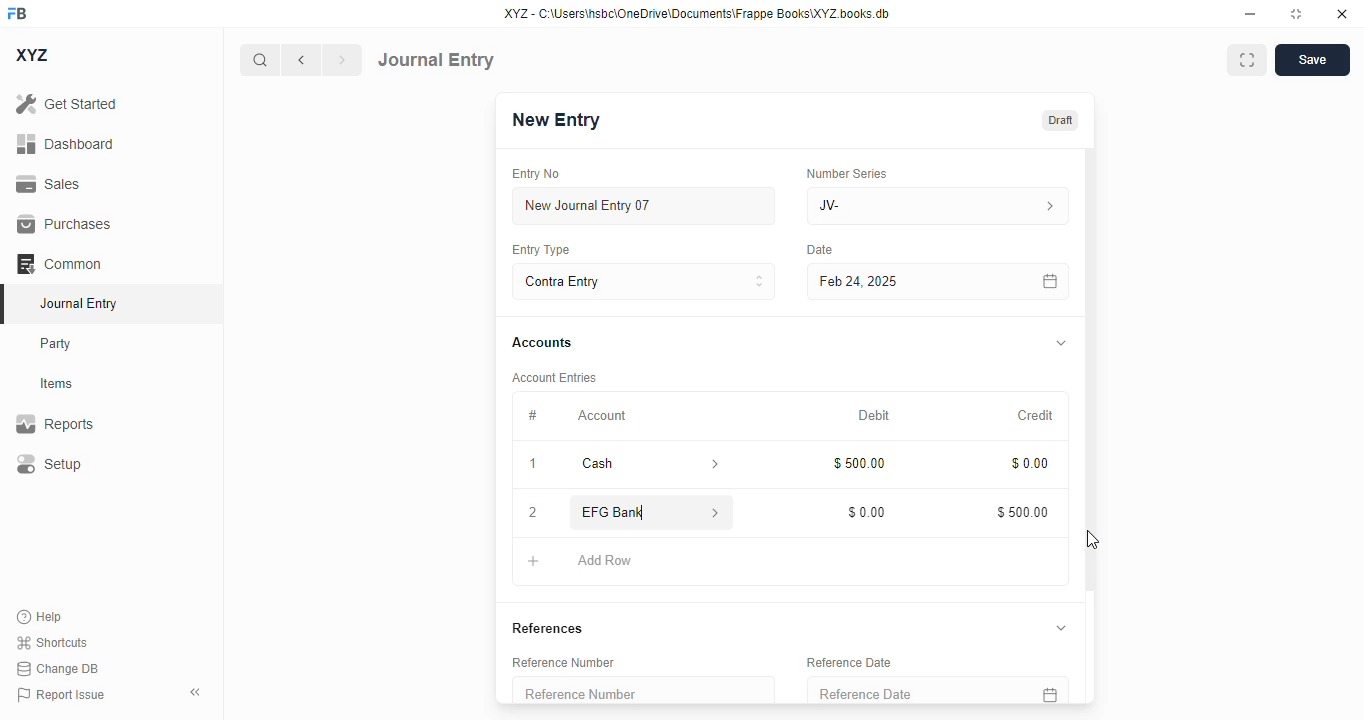 This screenshot has height=720, width=1364. What do you see at coordinates (1032, 464) in the screenshot?
I see `$0.00` at bounding box center [1032, 464].